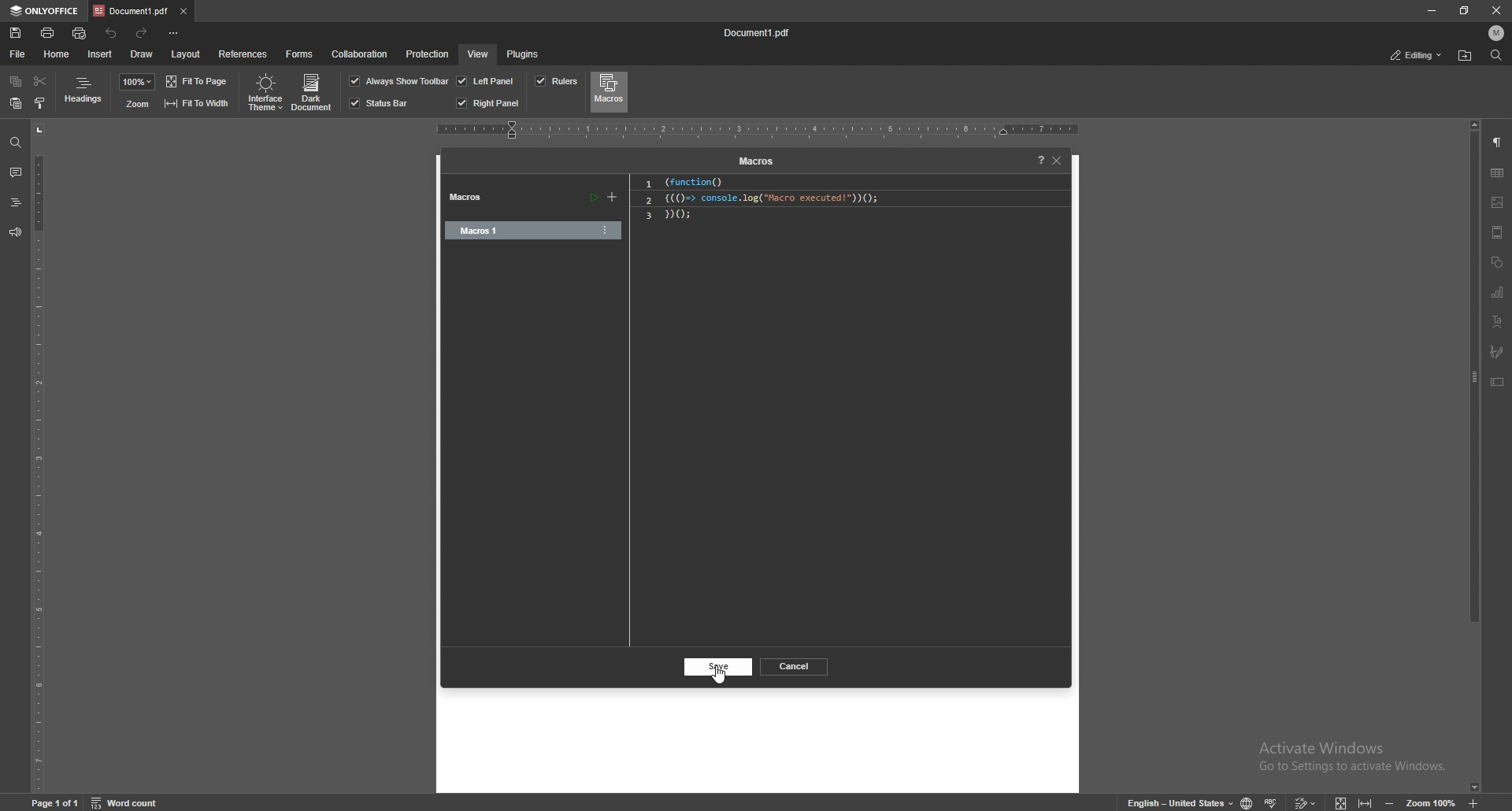 The image size is (1512, 811). Describe the element at coordinates (399, 80) in the screenshot. I see `always show toolbar` at that location.